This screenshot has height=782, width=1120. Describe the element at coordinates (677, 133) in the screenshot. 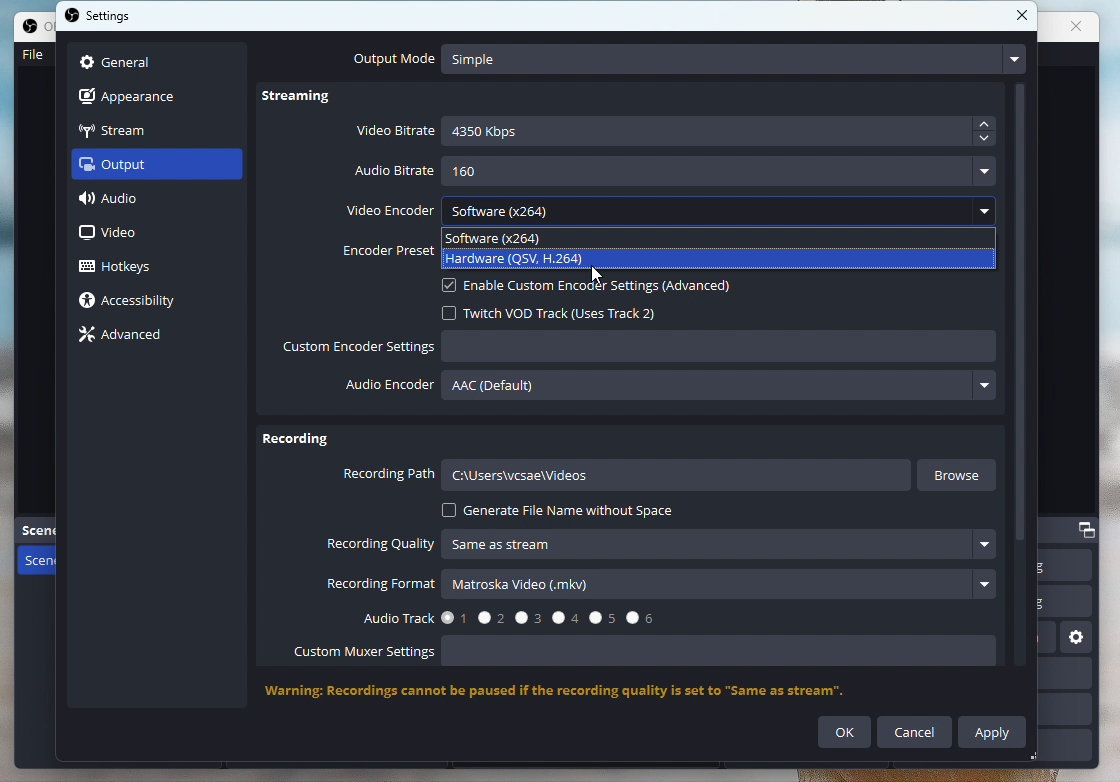

I see `Video Bitrate` at that location.